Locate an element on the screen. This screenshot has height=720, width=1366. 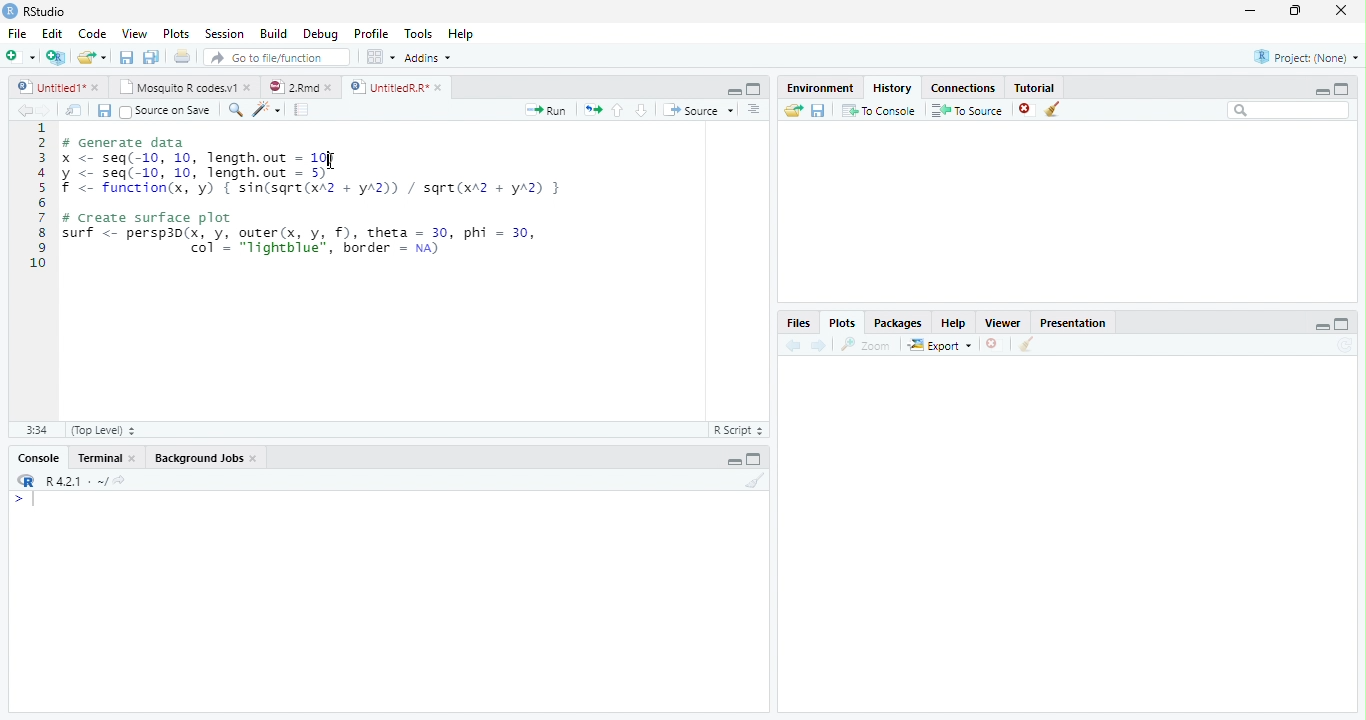
View is located at coordinates (134, 33).